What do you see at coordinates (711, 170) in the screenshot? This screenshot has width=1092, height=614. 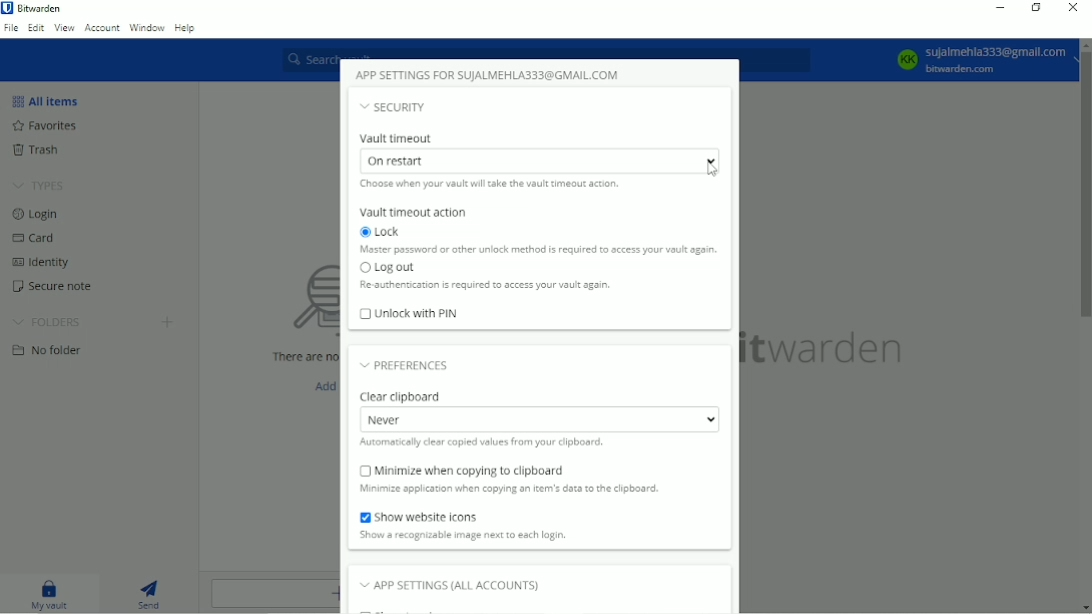 I see `cursor` at bounding box center [711, 170].